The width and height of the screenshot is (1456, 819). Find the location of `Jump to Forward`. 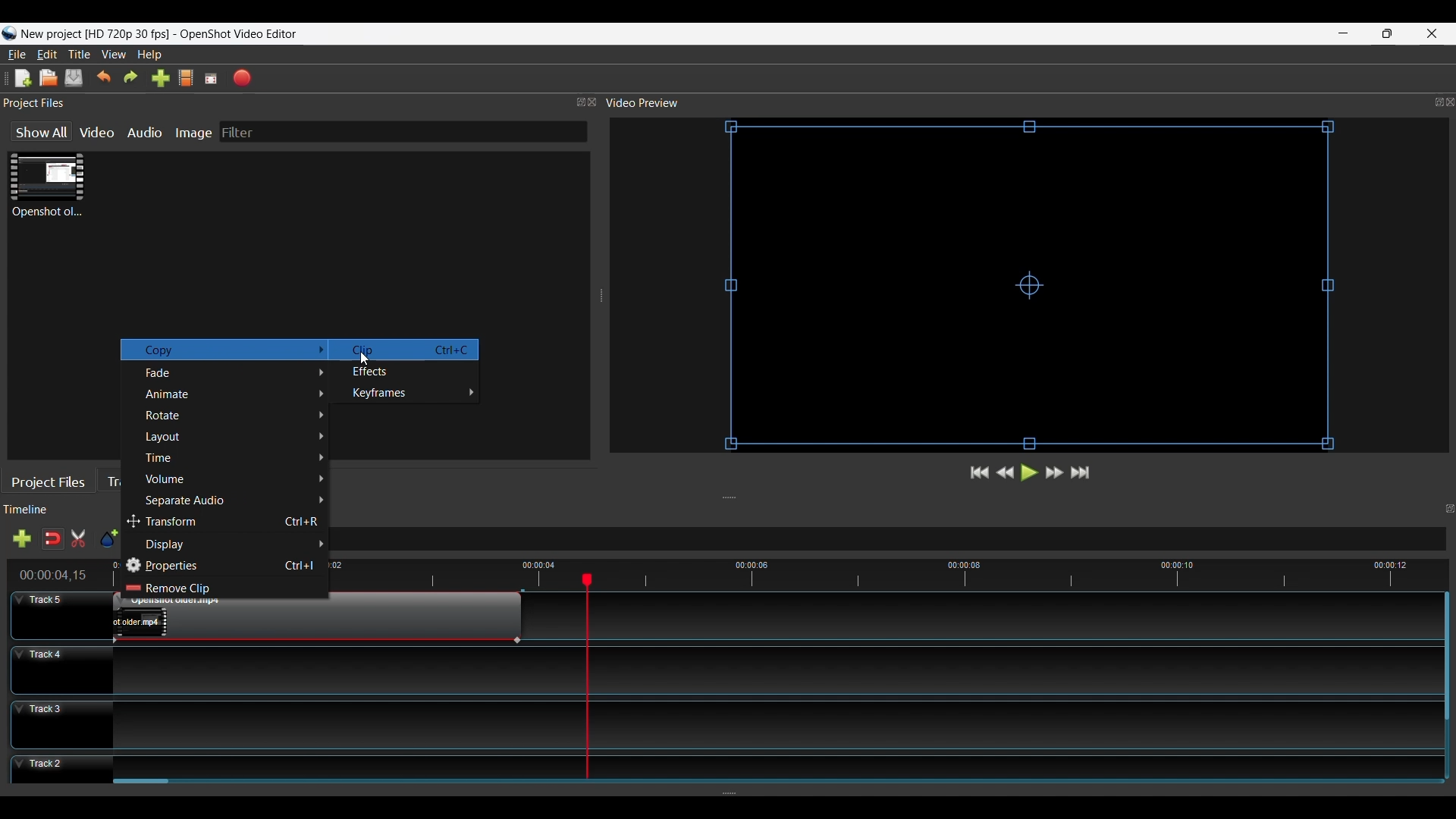

Jump to Forward is located at coordinates (980, 474).